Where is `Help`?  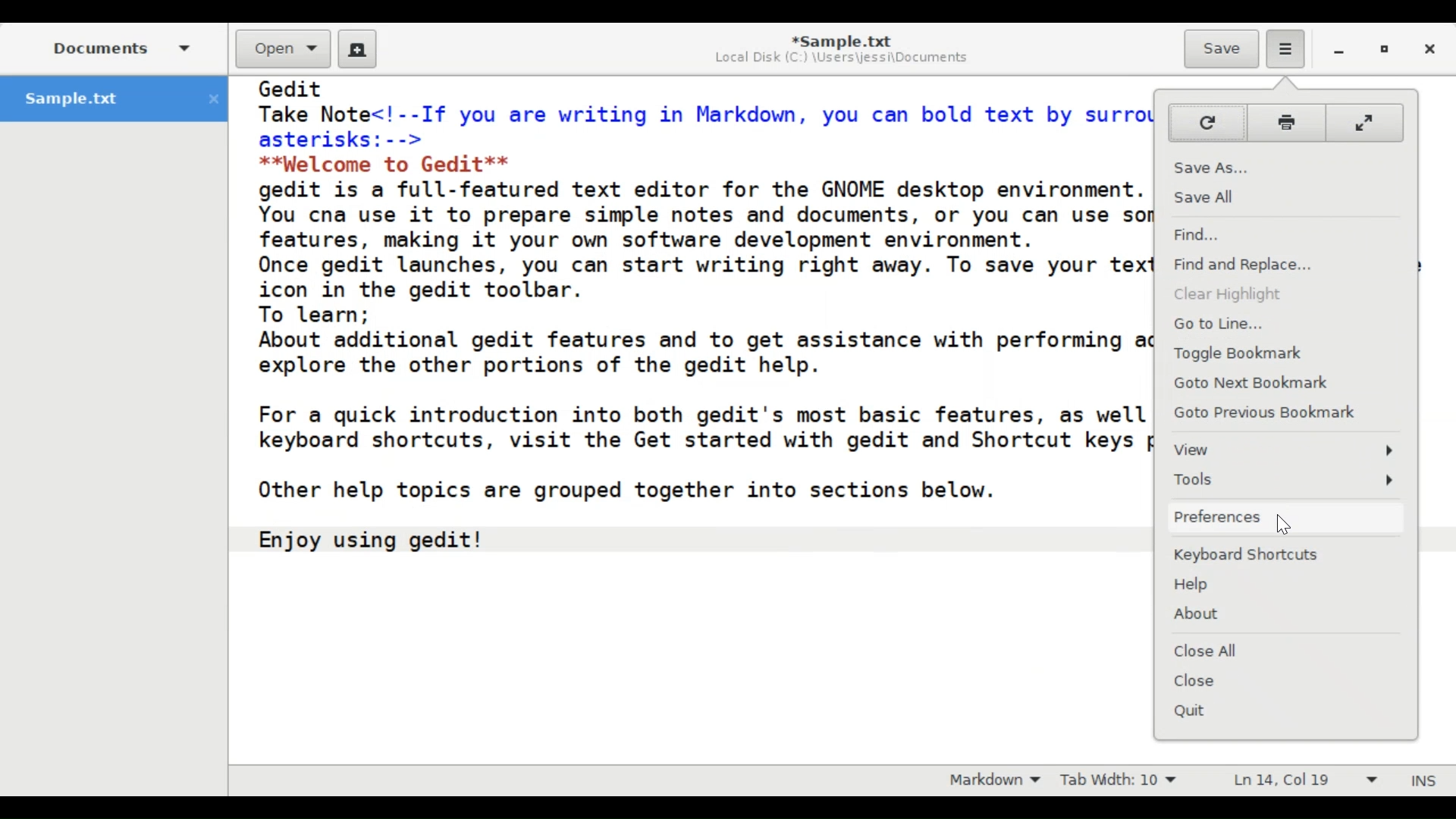
Help is located at coordinates (1289, 585).